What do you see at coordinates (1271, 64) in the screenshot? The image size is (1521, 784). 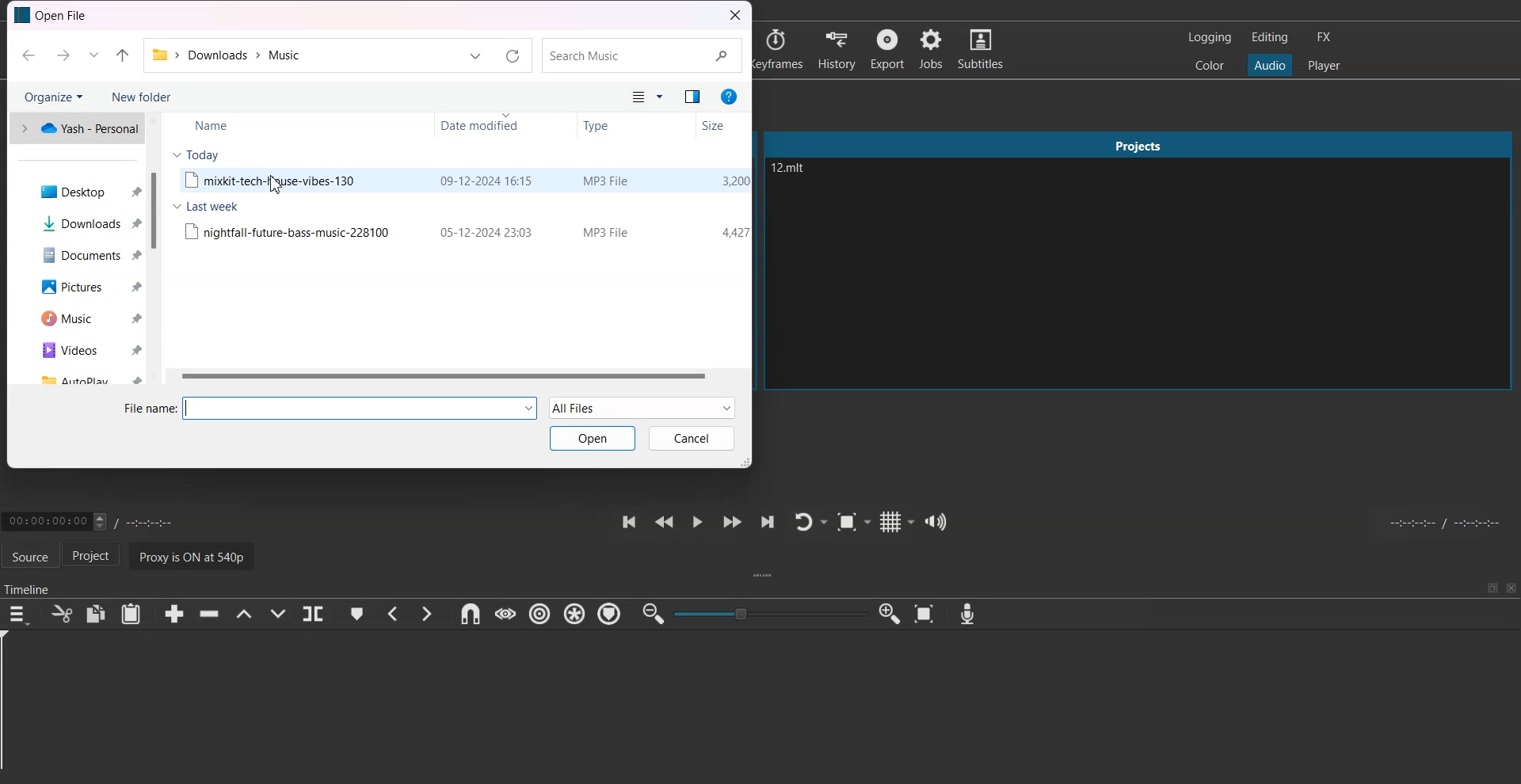 I see `Switch to the Audio layout` at bounding box center [1271, 64].